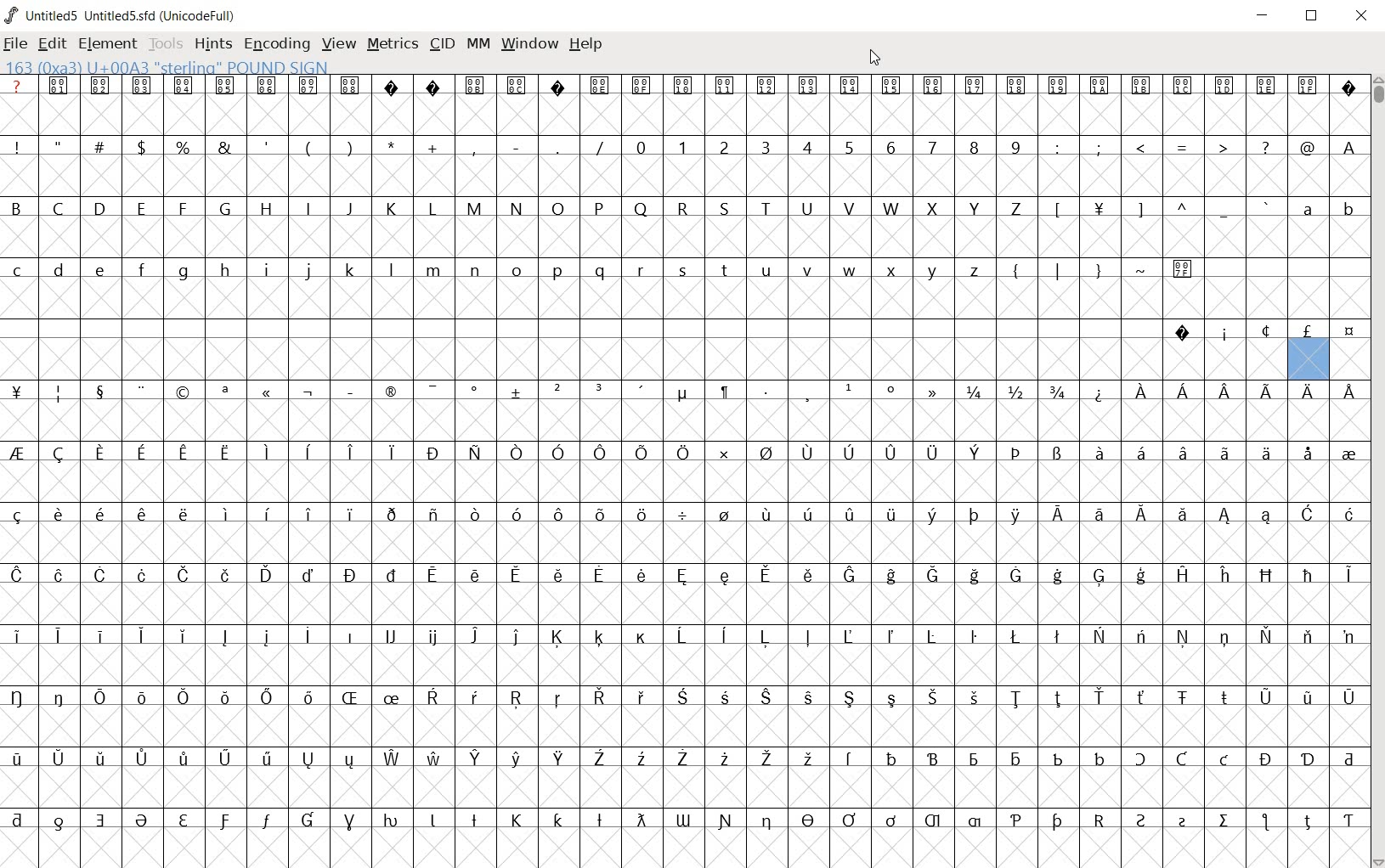 The width and height of the screenshot is (1385, 868). What do you see at coordinates (1182, 699) in the screenshot?
I see `Symbol` at bounding box center [1182, 699].